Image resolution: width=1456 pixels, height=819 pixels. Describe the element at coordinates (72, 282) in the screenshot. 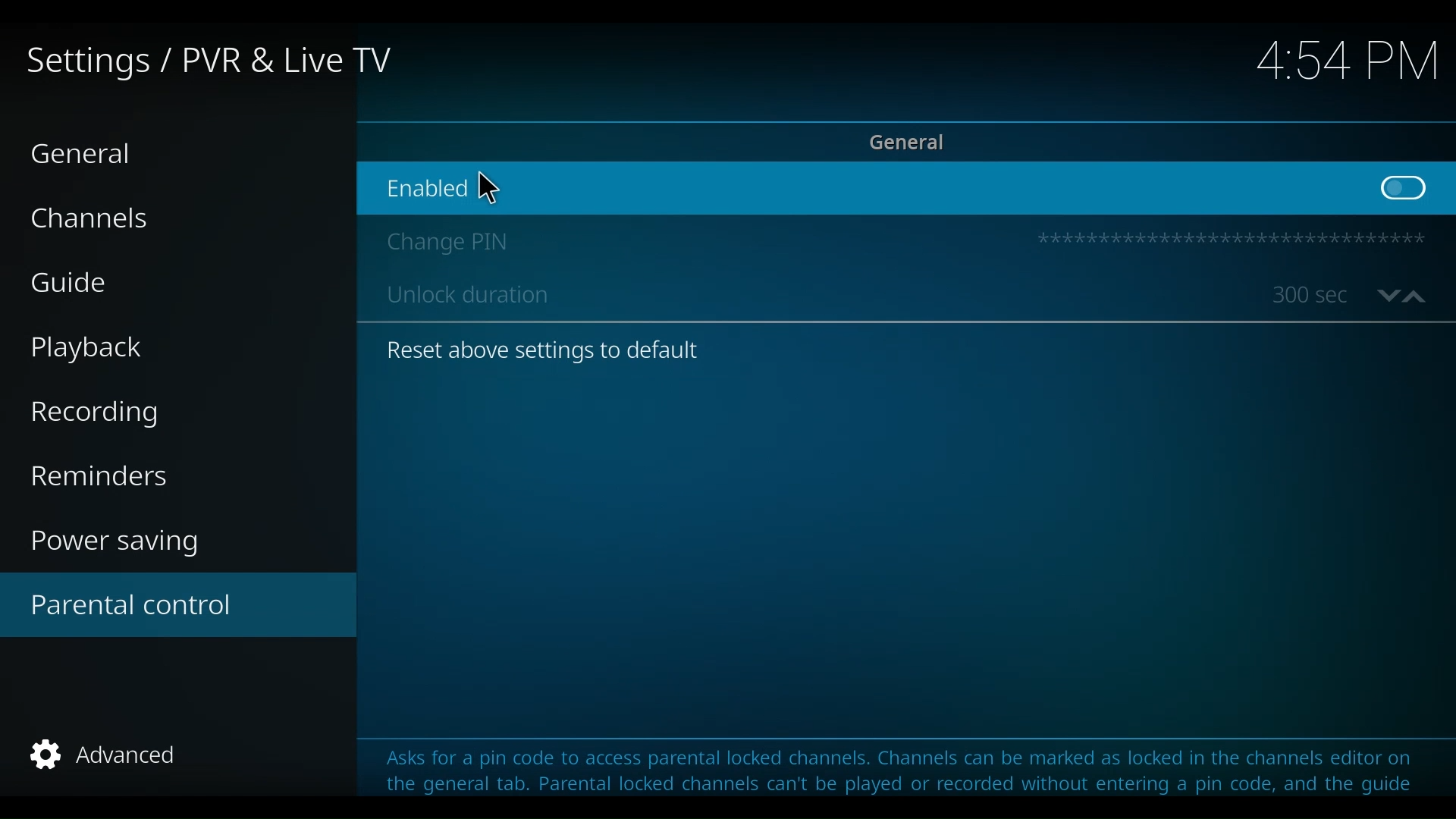

I see `Guide` at that location.